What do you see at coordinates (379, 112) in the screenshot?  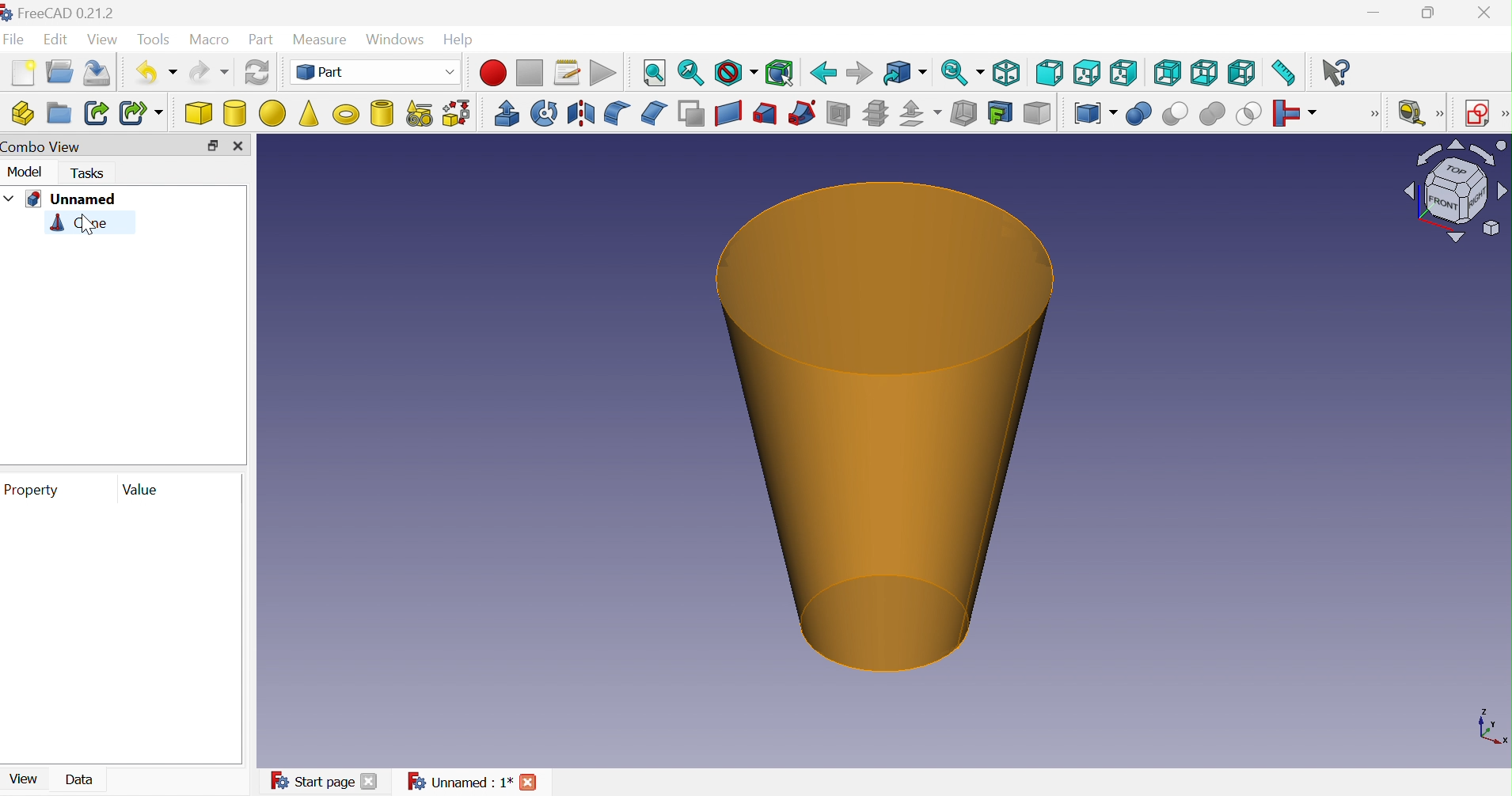 I see `Create tube` at bounding box center [379, 112].